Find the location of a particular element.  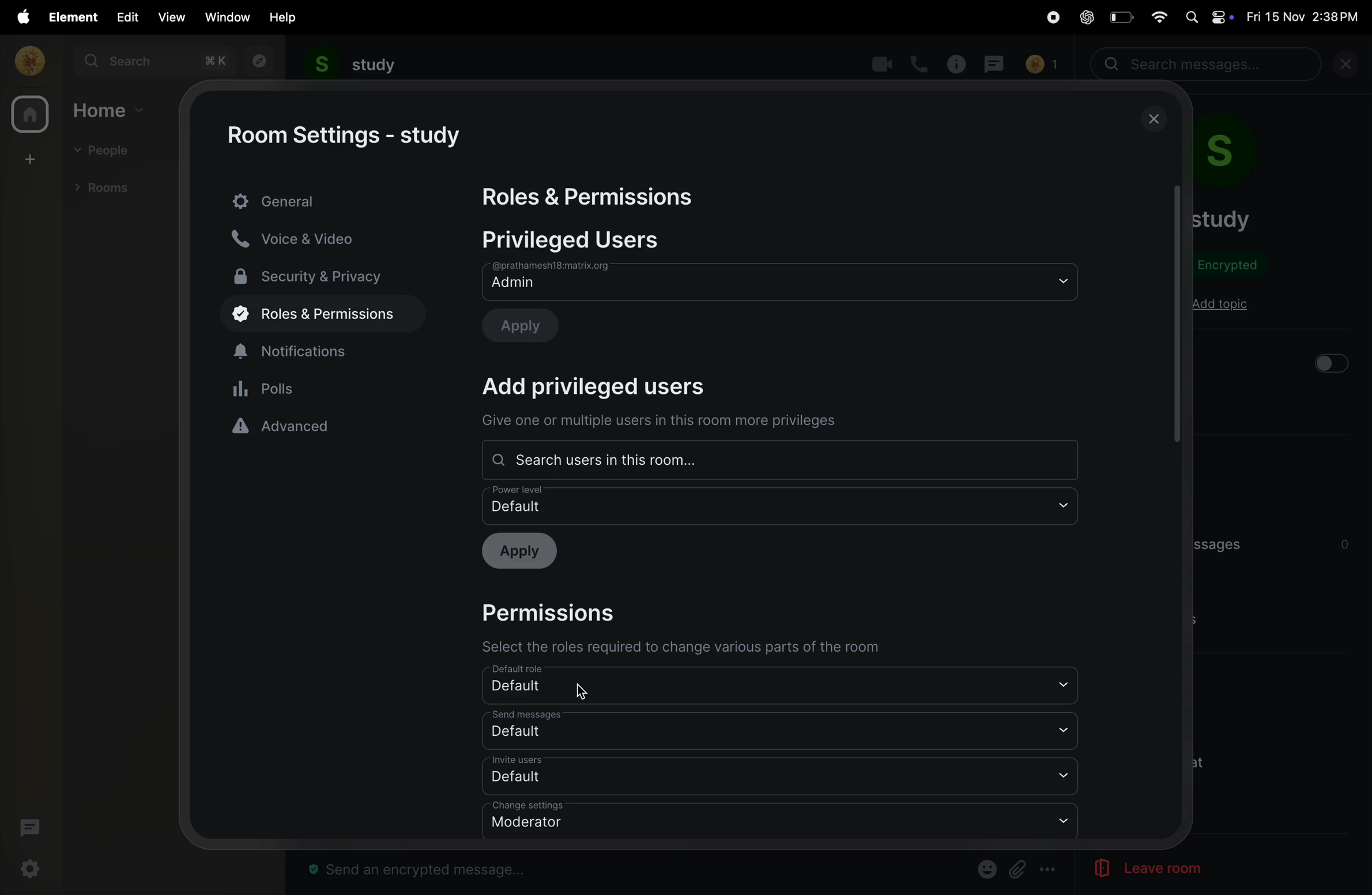

help is located at coordinates (284, 17).